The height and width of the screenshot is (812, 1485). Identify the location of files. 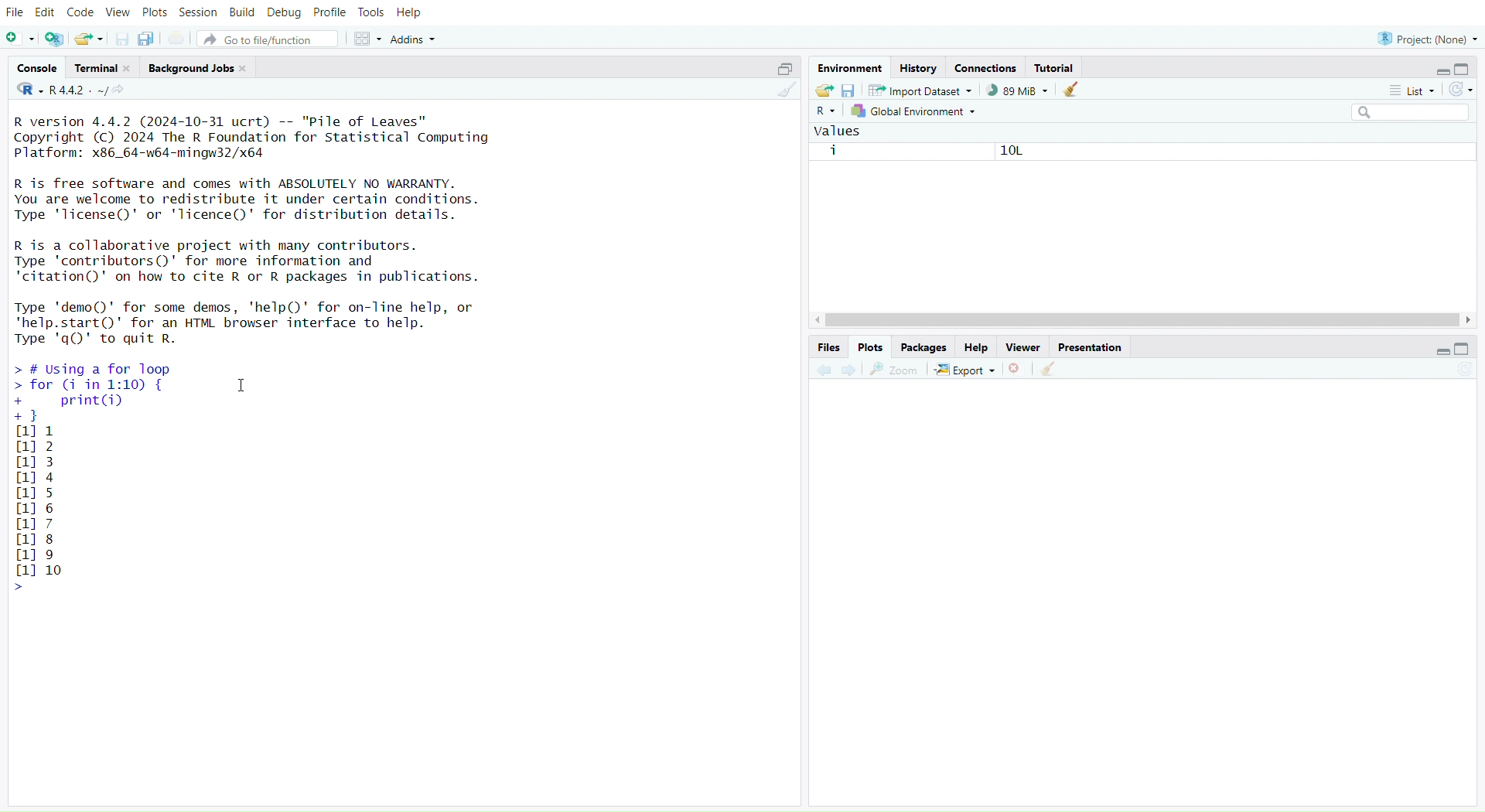
(828, 346).